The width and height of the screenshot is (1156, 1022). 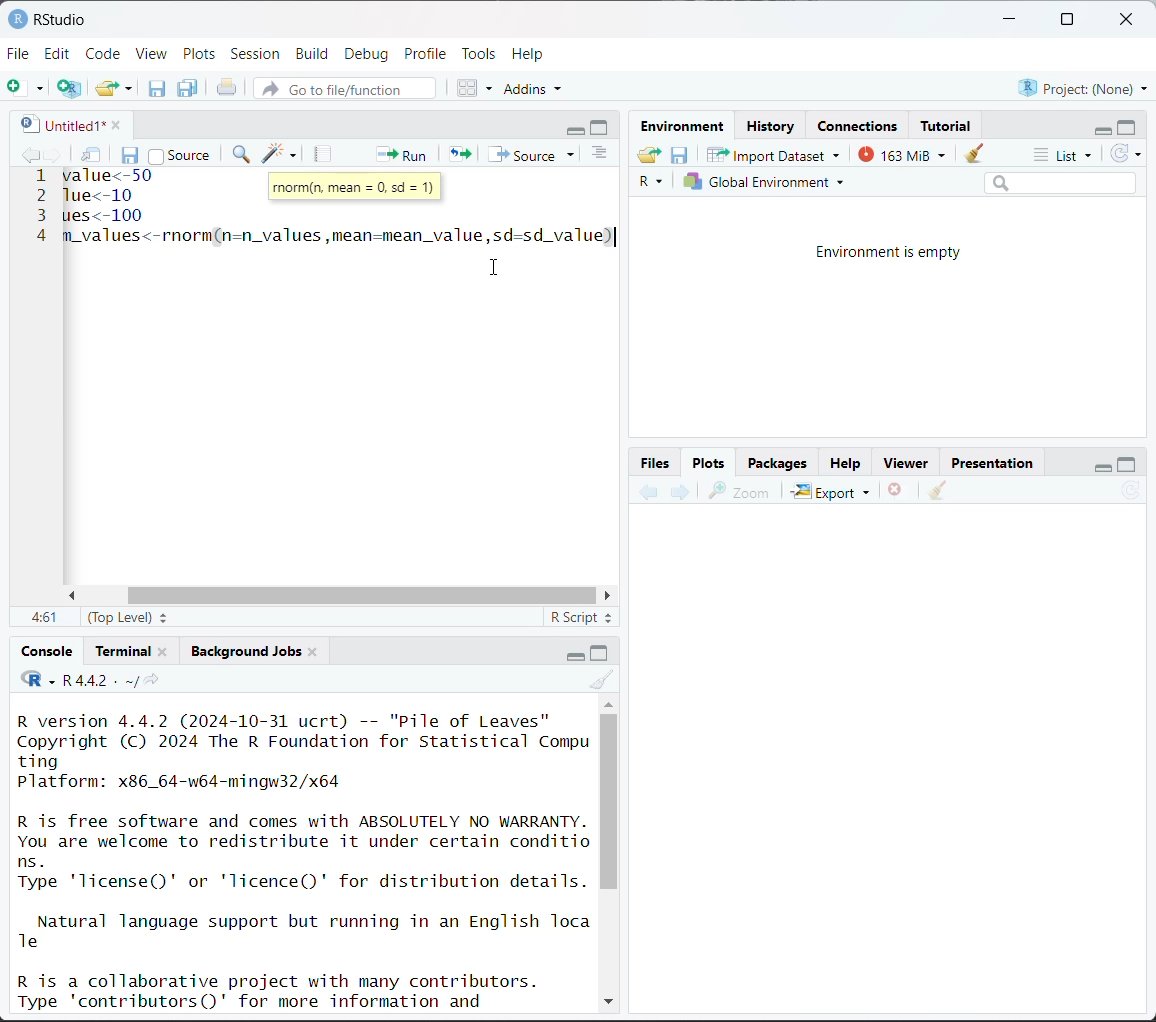 I want to click on Terminal, so click(x=125, y=648).